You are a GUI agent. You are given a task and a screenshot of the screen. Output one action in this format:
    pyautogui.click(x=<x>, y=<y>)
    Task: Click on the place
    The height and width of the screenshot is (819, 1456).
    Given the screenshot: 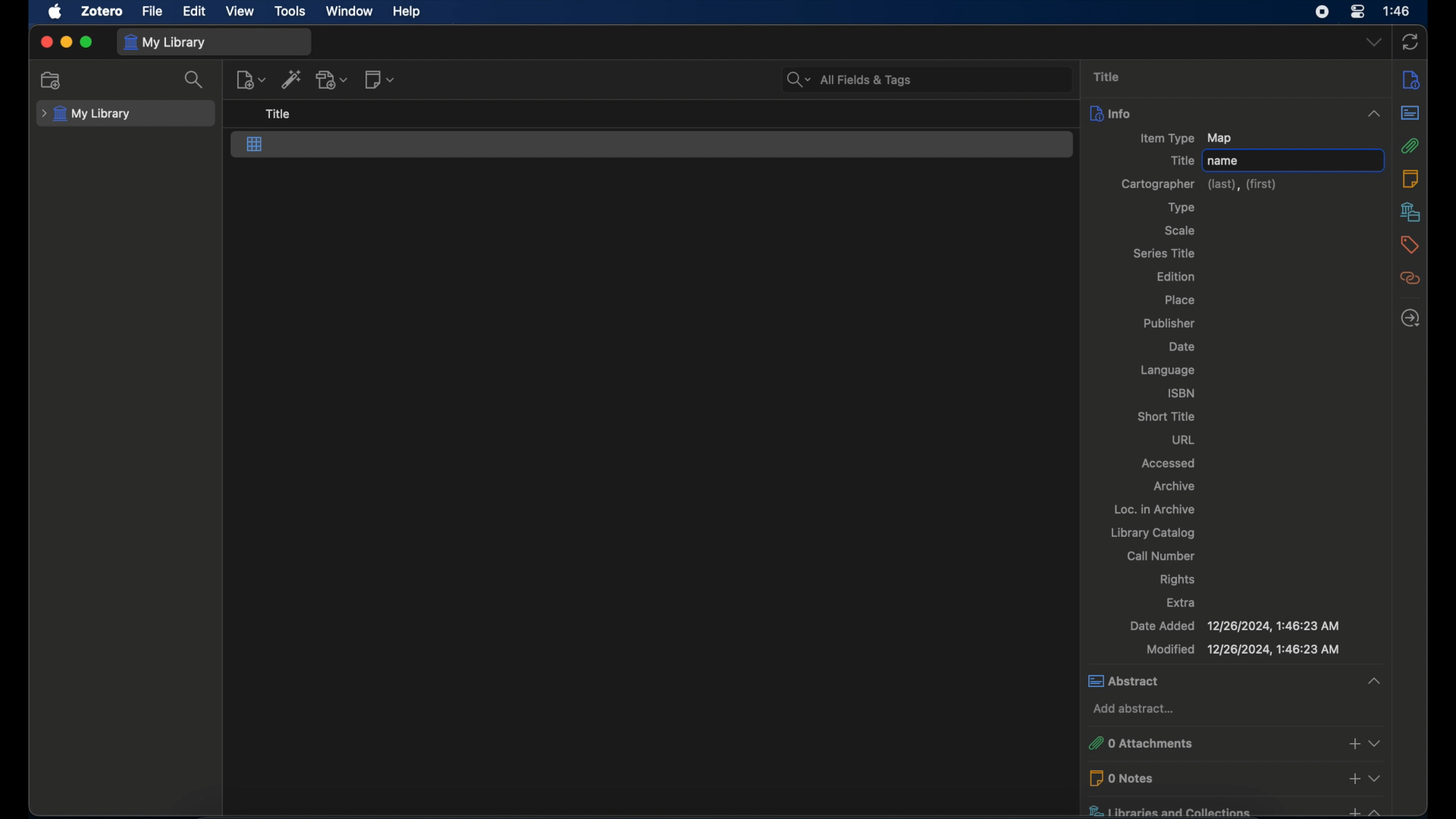 What is the action you would take?
    pyautogui.click(x=1180, y=300)
    